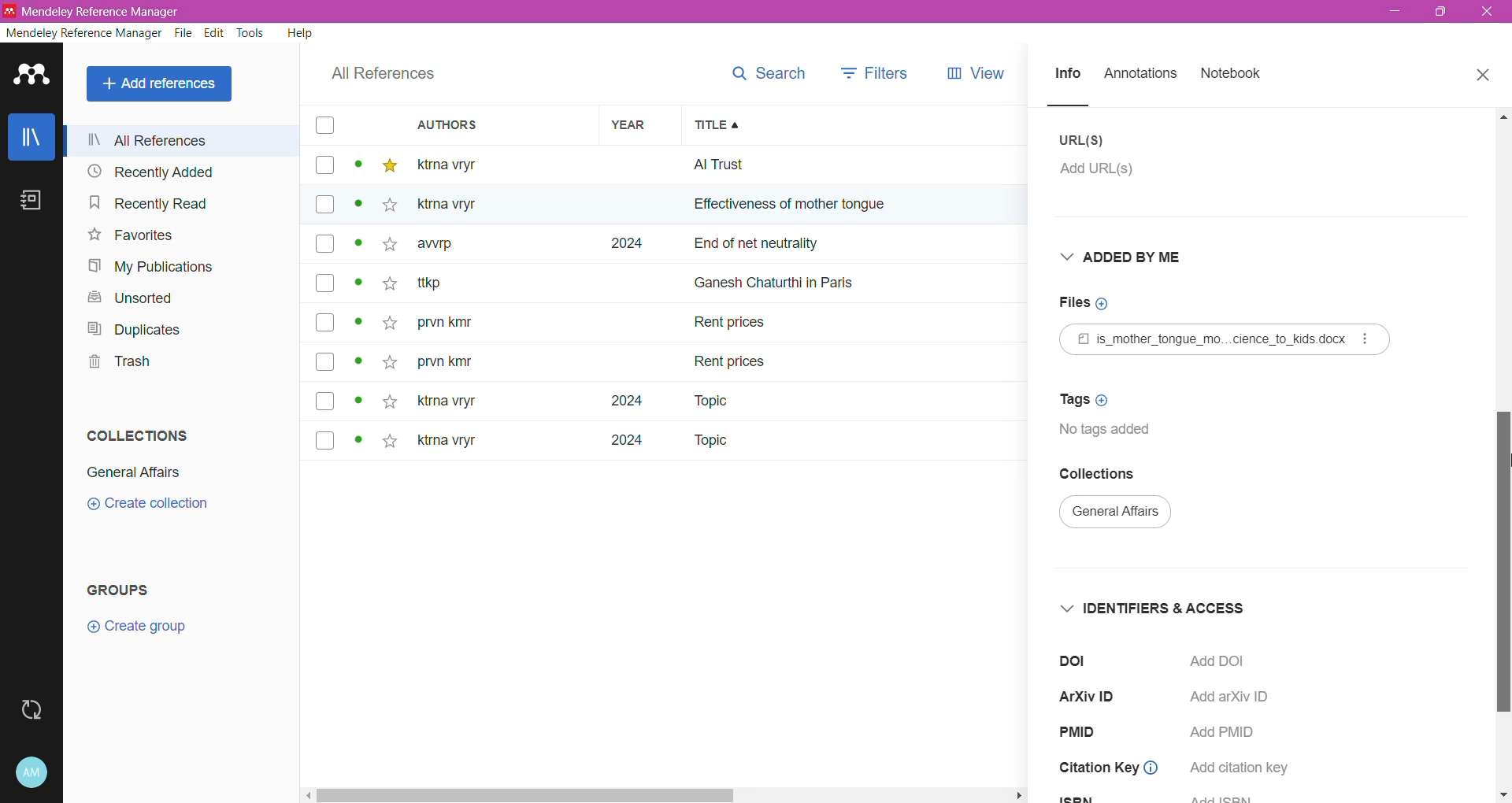  What do you see at coordinates (700, 401) in the screenshot?
I see `Topic` at bounding box center [700, 401].